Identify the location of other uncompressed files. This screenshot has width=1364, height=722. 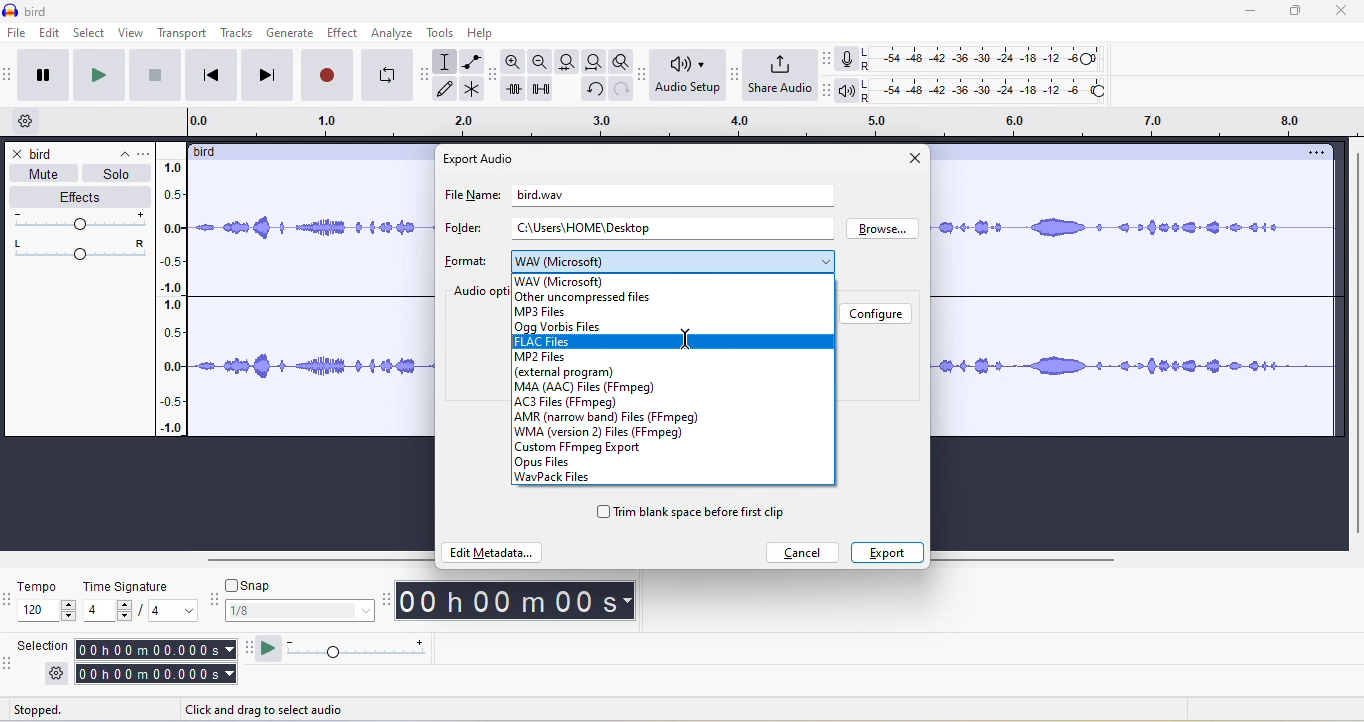
(584, 298).